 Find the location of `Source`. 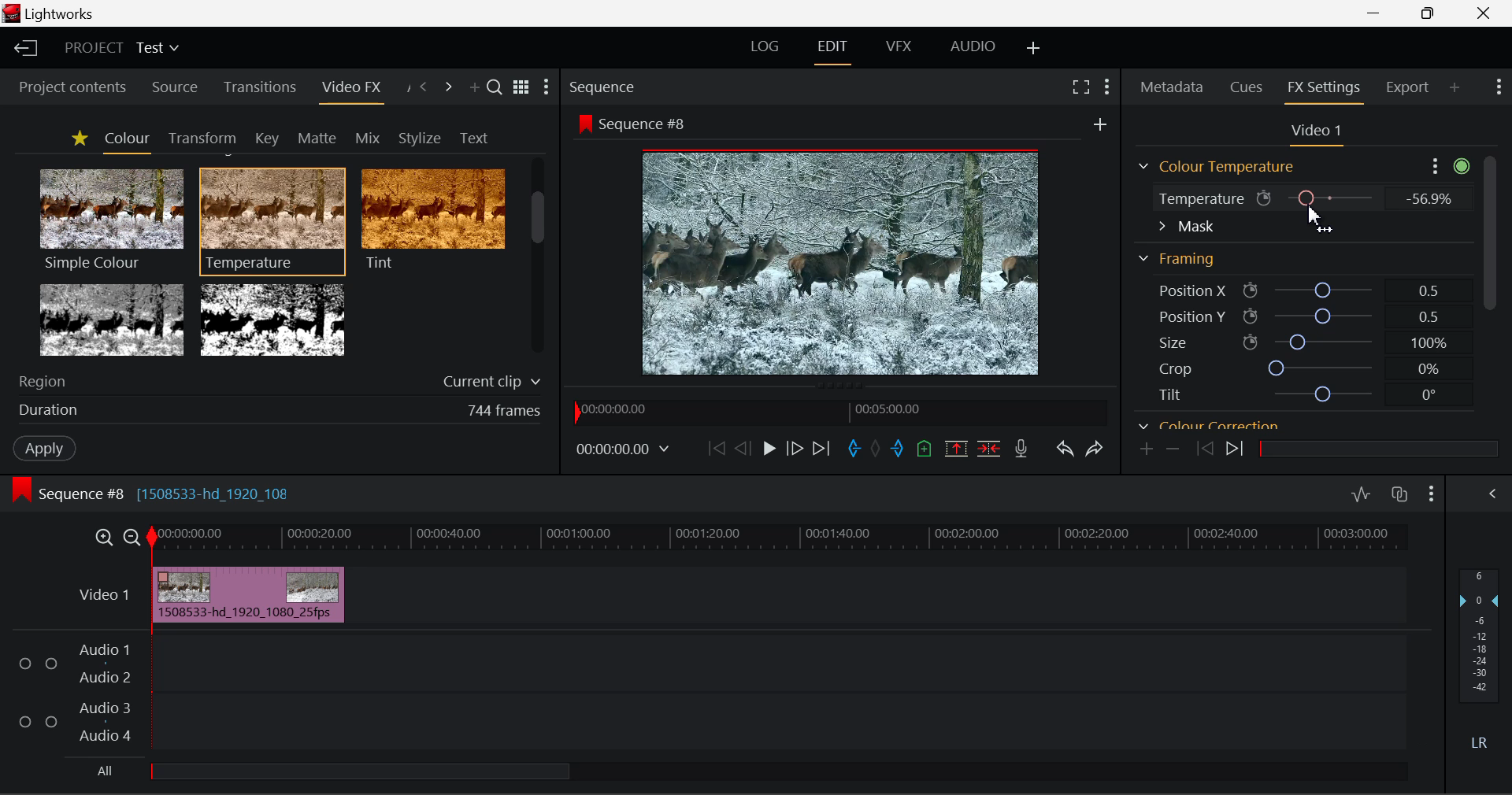

Source is located at coordinates (176, 90).